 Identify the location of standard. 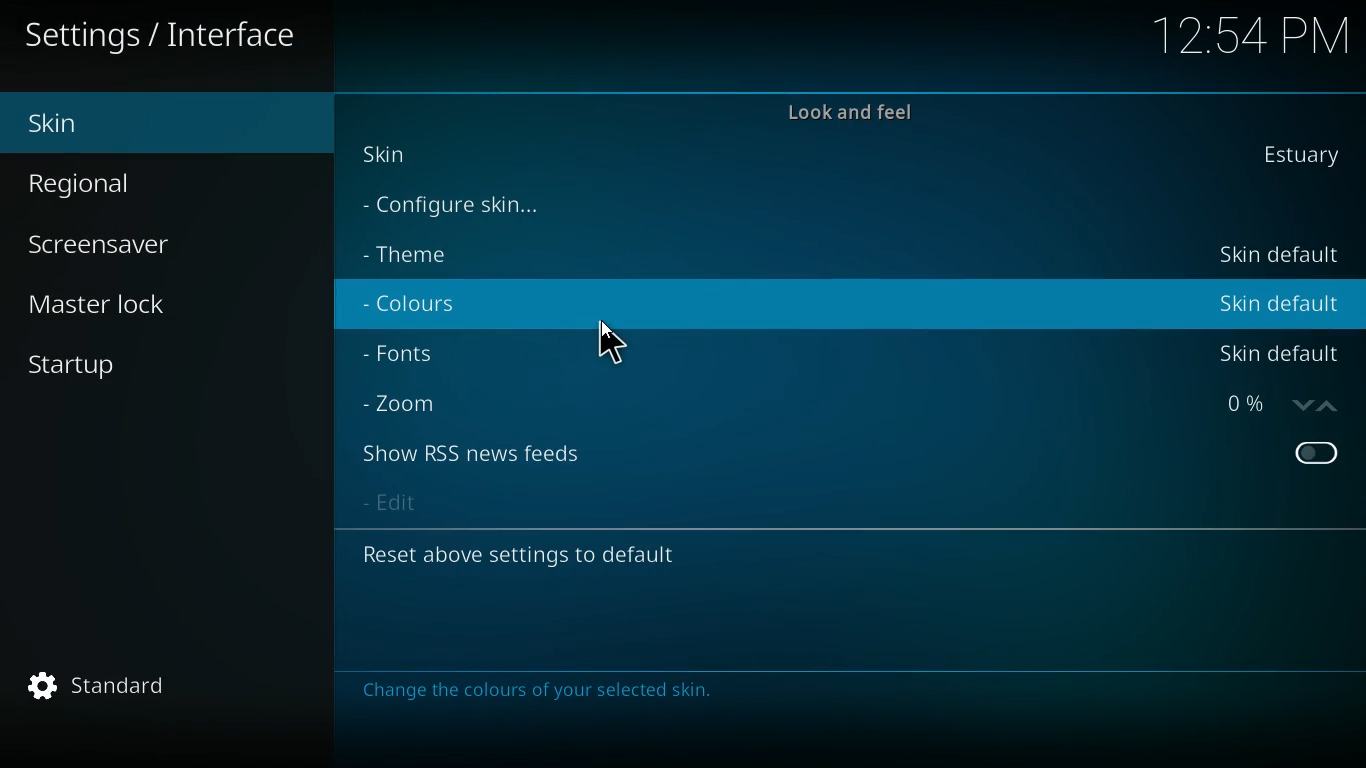
(103, 691).